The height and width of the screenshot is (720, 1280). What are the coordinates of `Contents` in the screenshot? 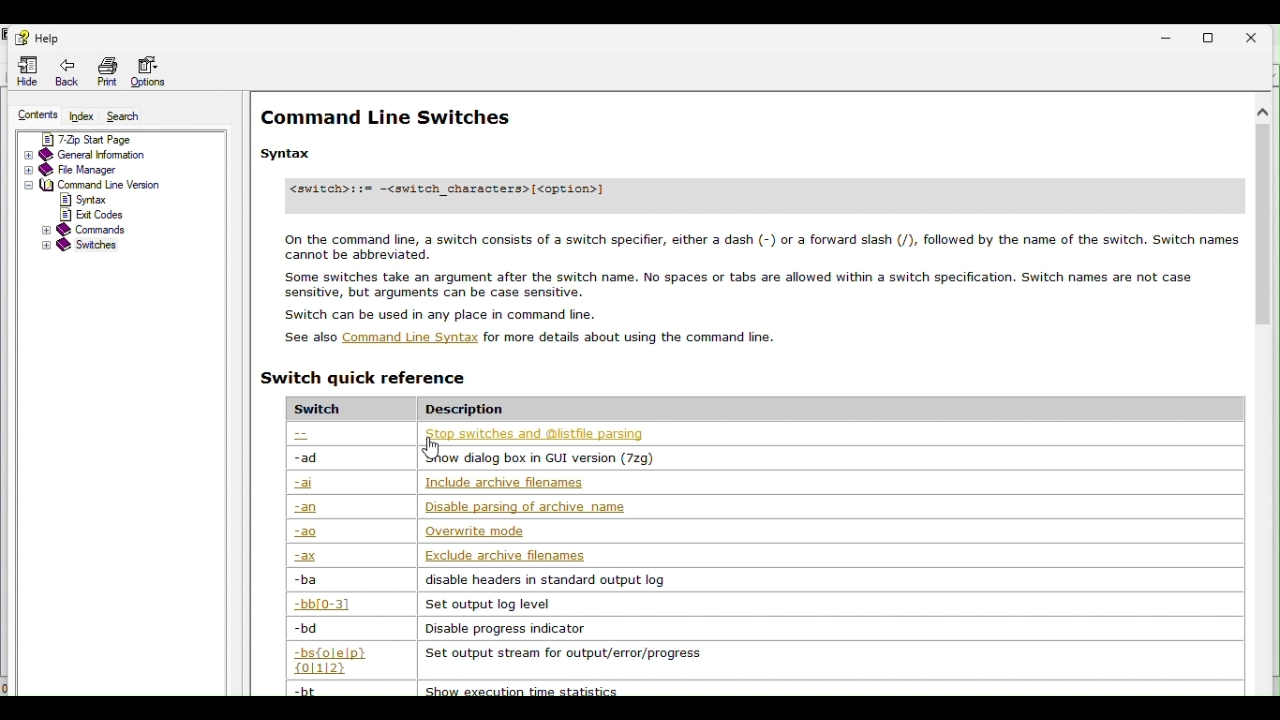 It's located at (36, 116).